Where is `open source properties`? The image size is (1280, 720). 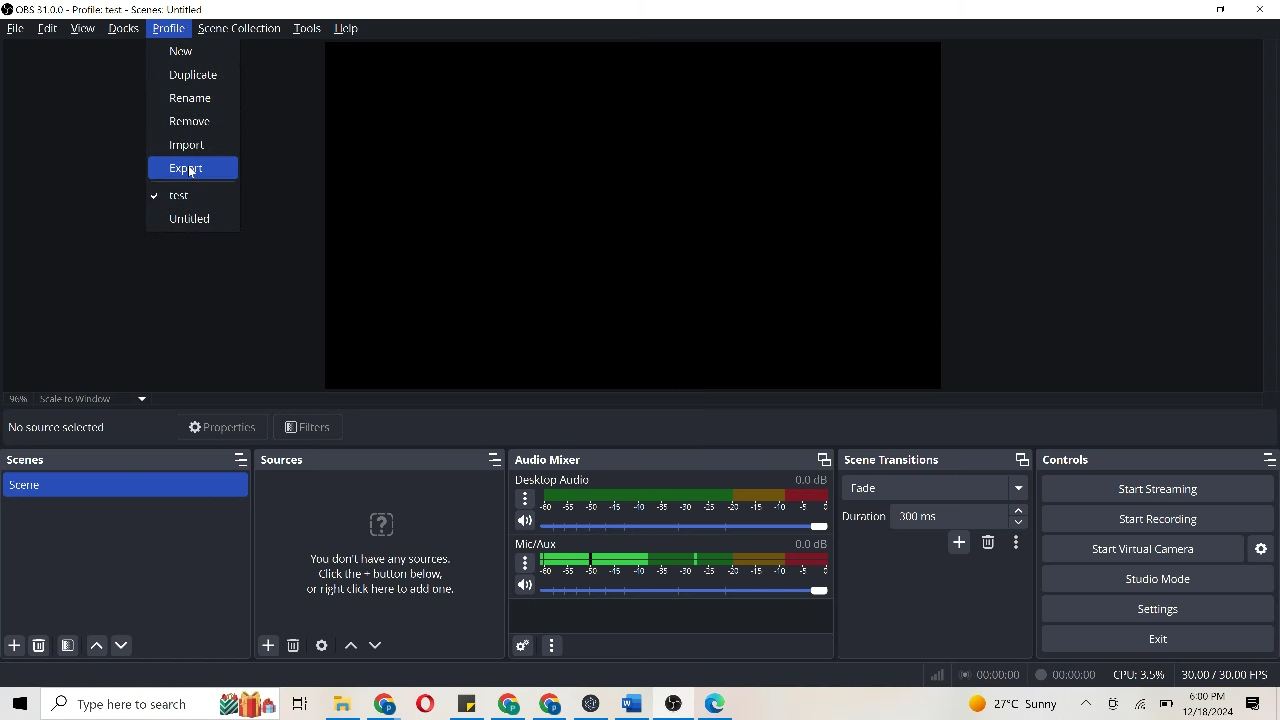 open source properties is located at coordinates (318, 644).